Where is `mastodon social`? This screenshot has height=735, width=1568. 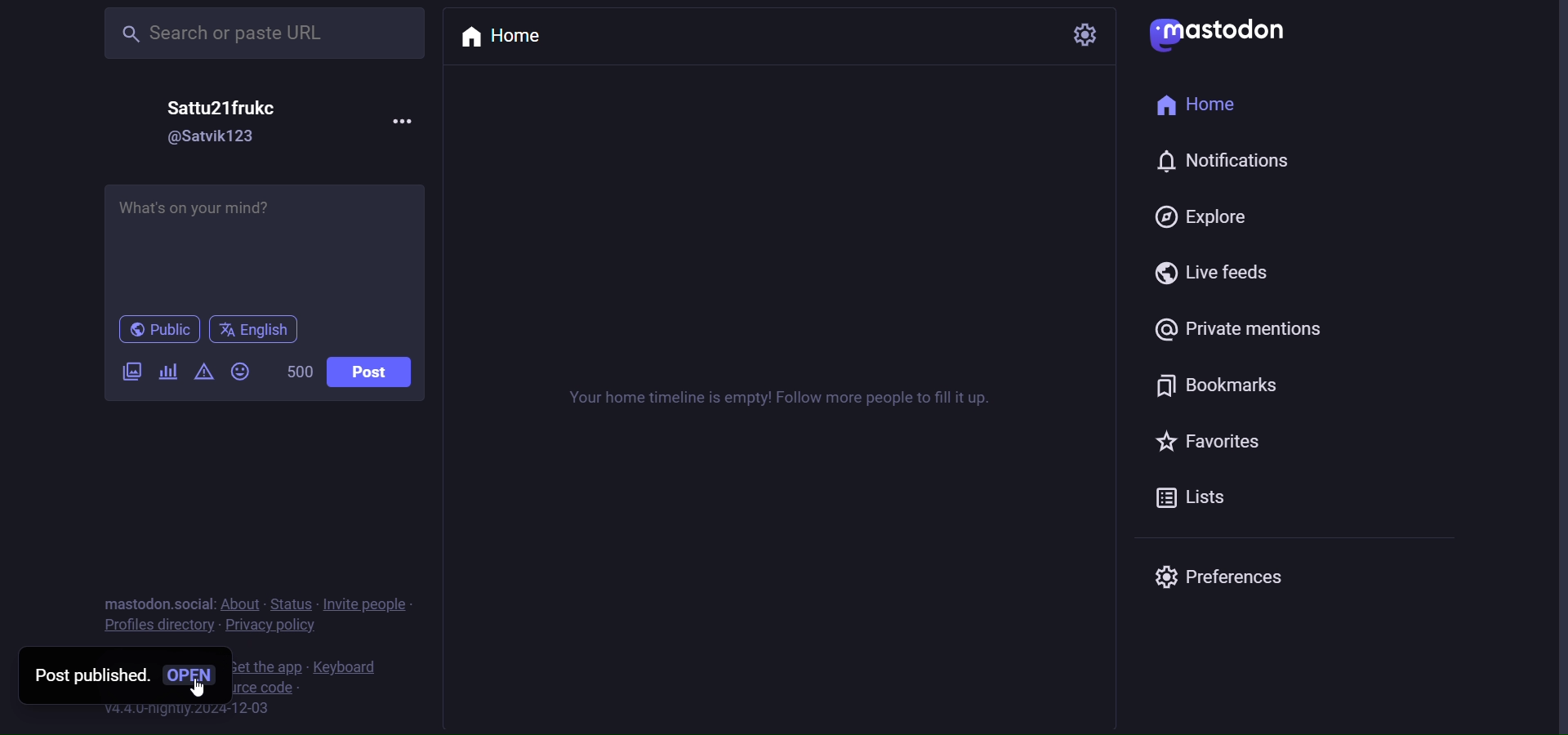
mastodon social is located at coordinates (158, 602).